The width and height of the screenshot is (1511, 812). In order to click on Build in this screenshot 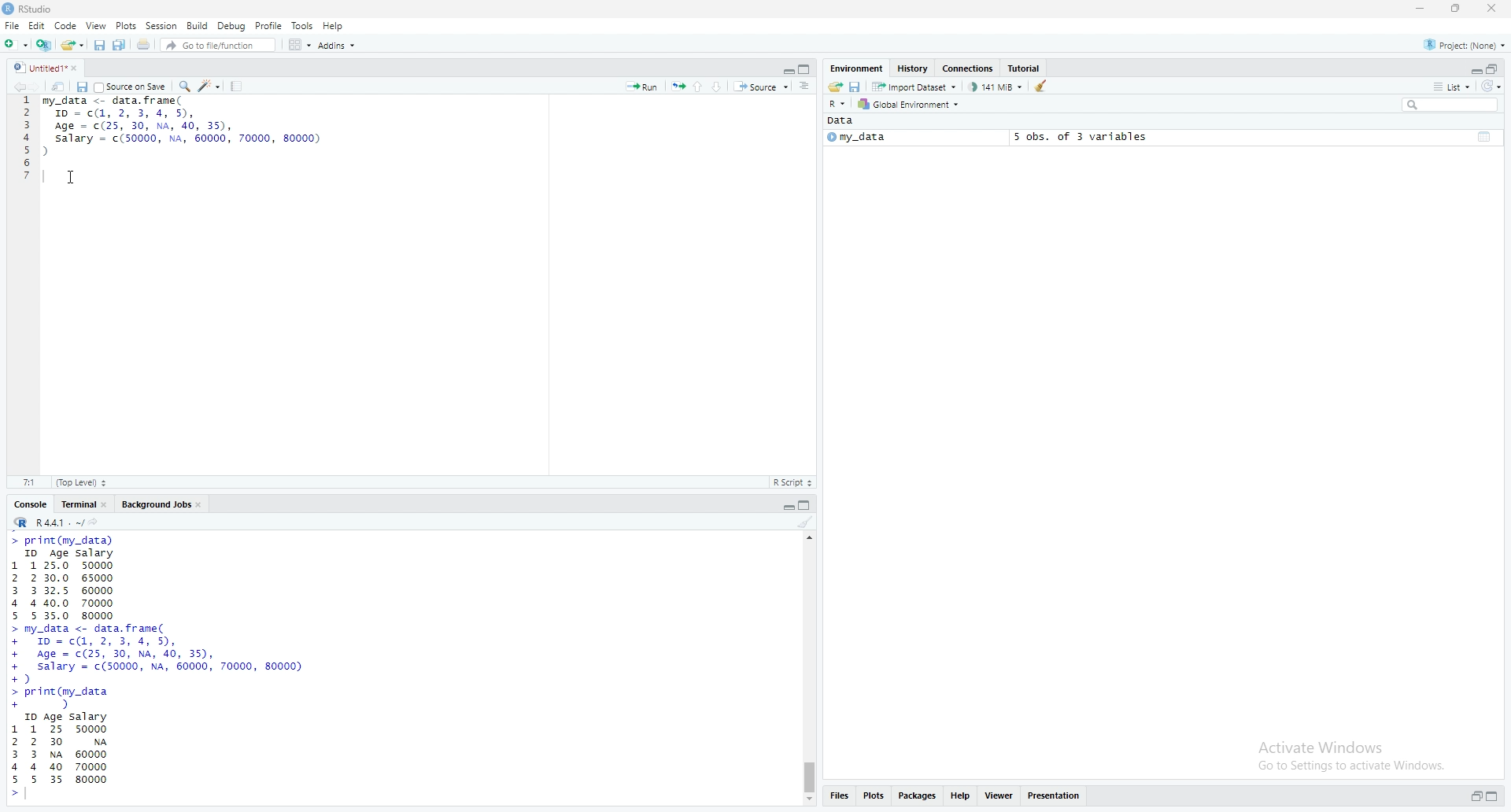, I will do `click(199, 25)`.